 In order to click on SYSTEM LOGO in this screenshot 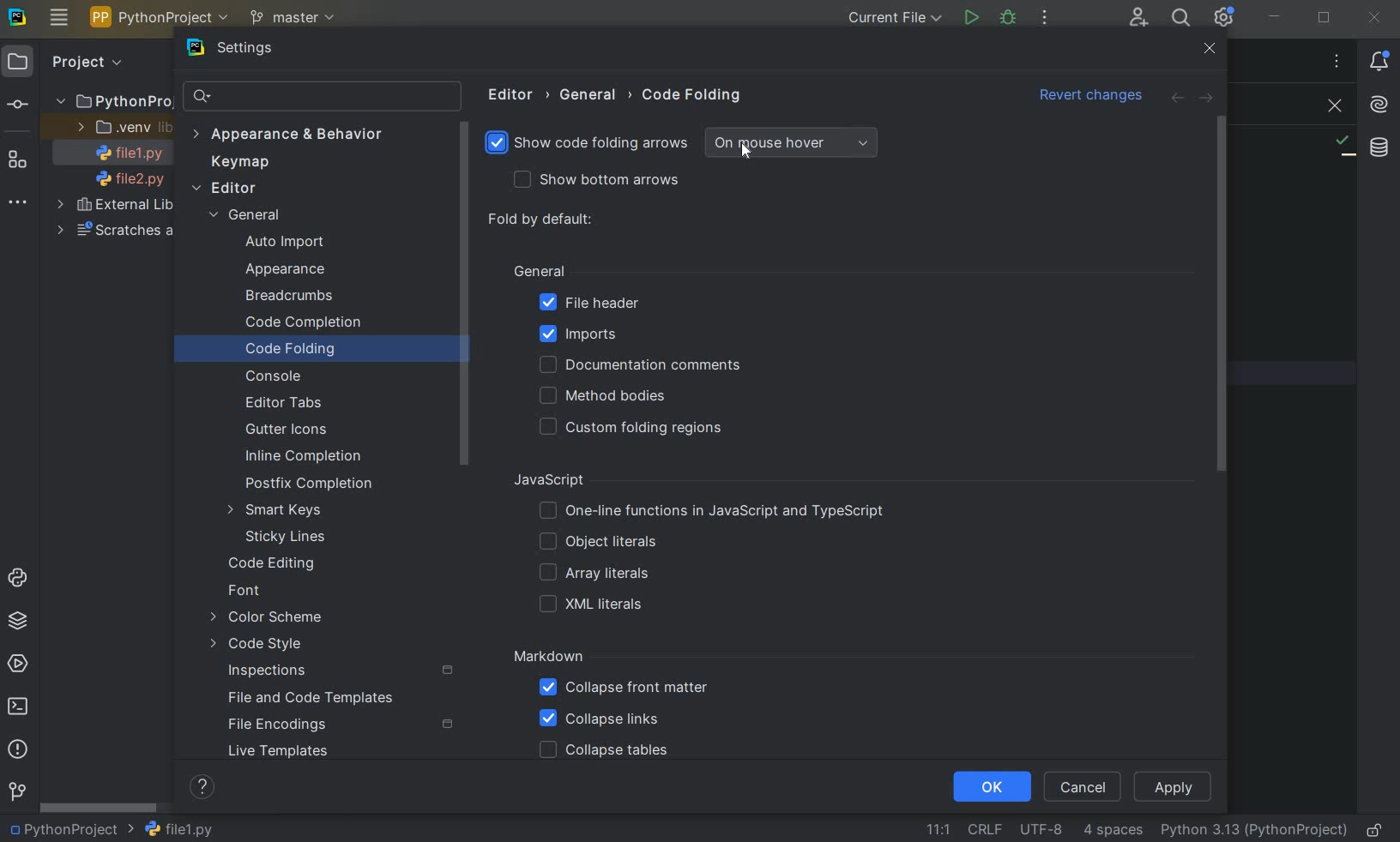, I will do `click(19, 18)`.